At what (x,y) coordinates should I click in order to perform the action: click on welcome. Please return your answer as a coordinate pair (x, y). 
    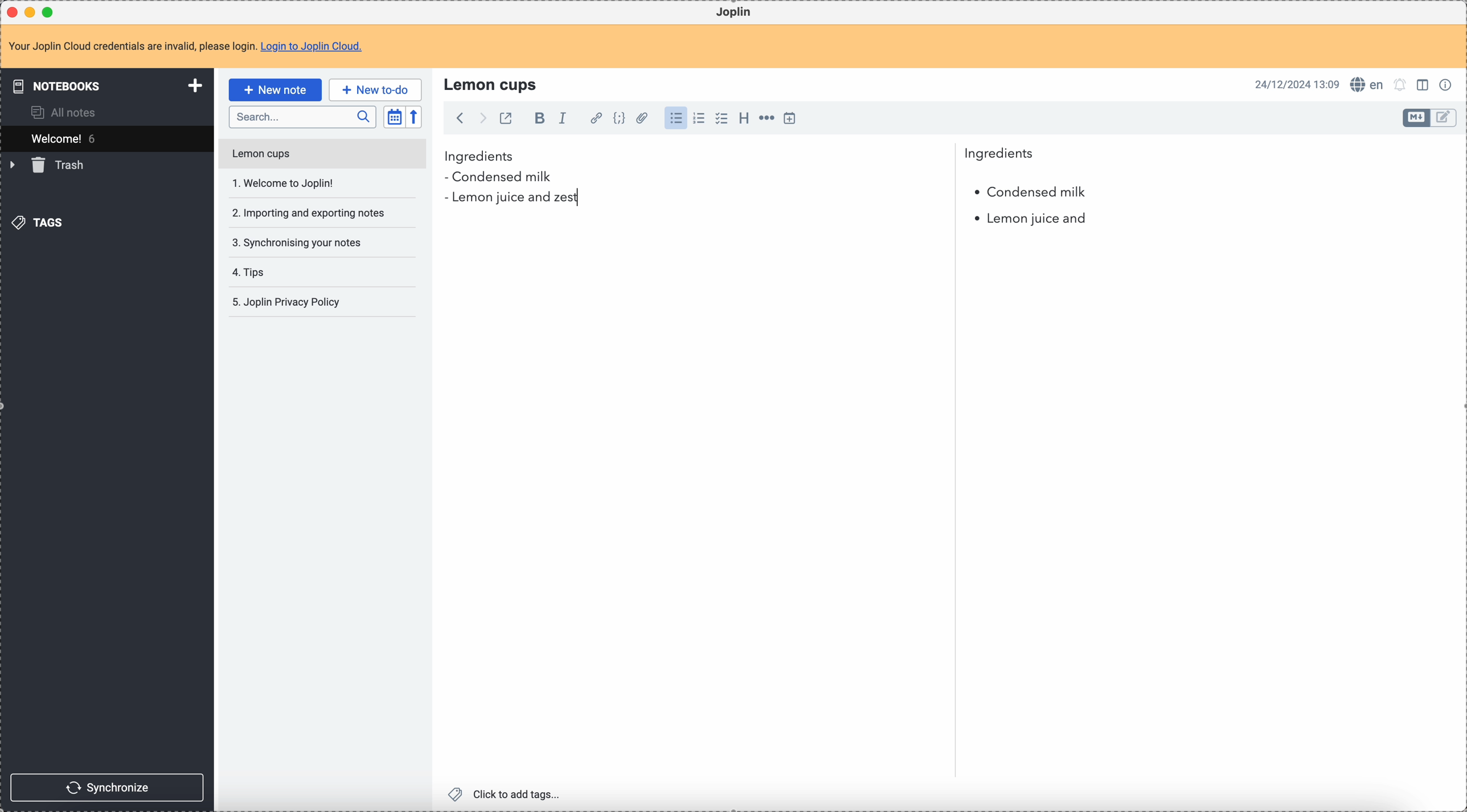
    Looking at the image, I should click on (106, 138).